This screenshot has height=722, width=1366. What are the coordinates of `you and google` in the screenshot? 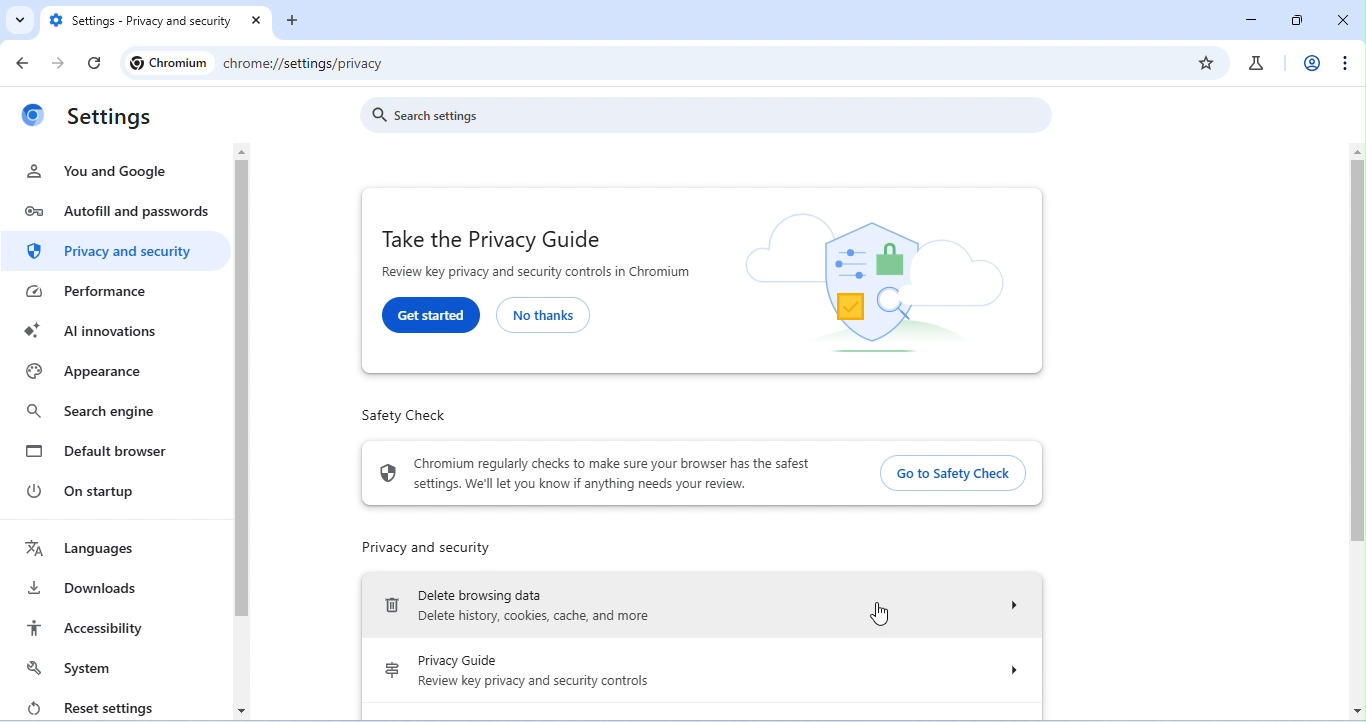 It's located at (99, 171).